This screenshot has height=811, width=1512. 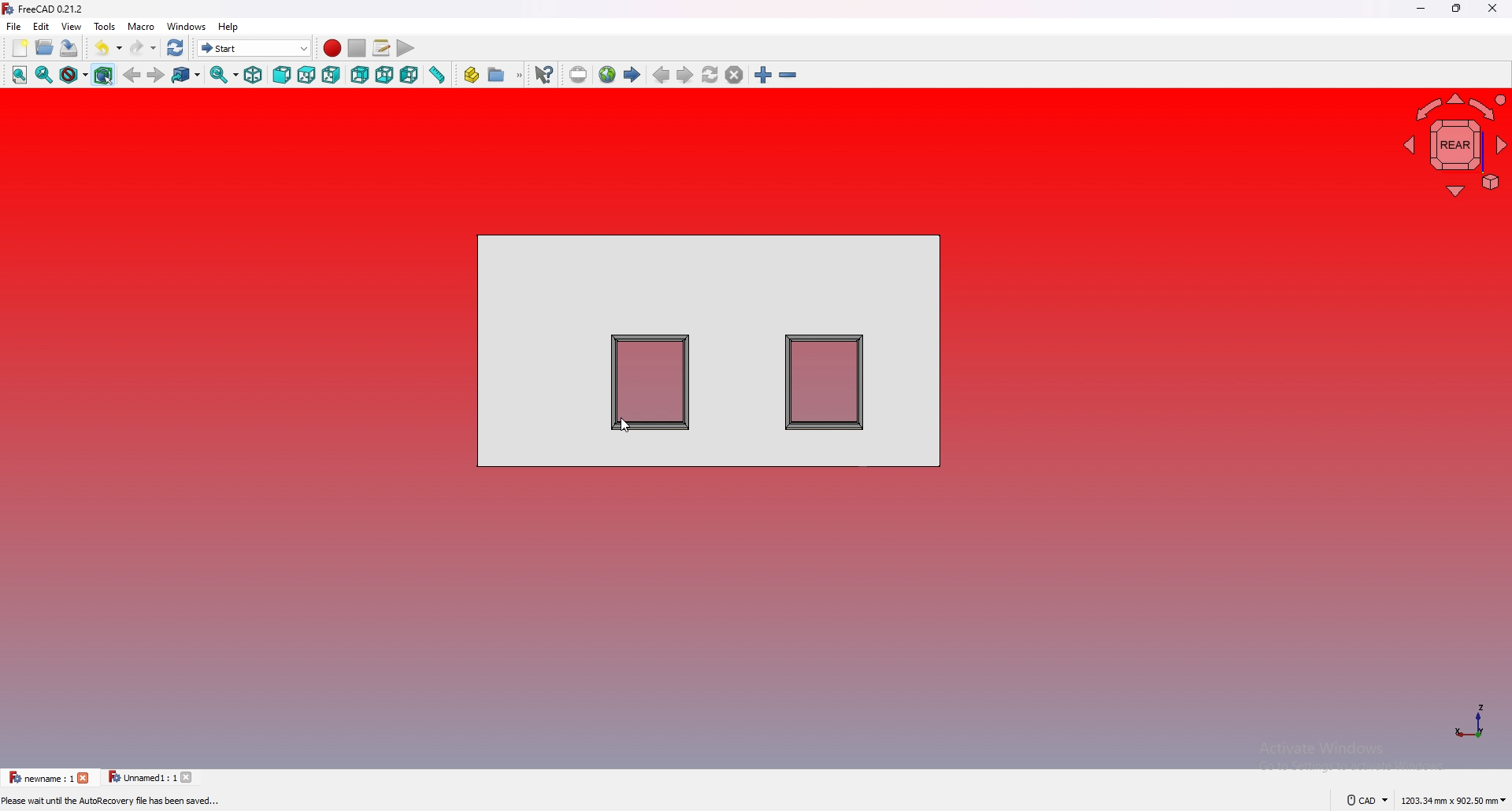 What do you see at coordinates (661, 75) in the screenshot?
I see `previous page` at bounding box center [661, 75].